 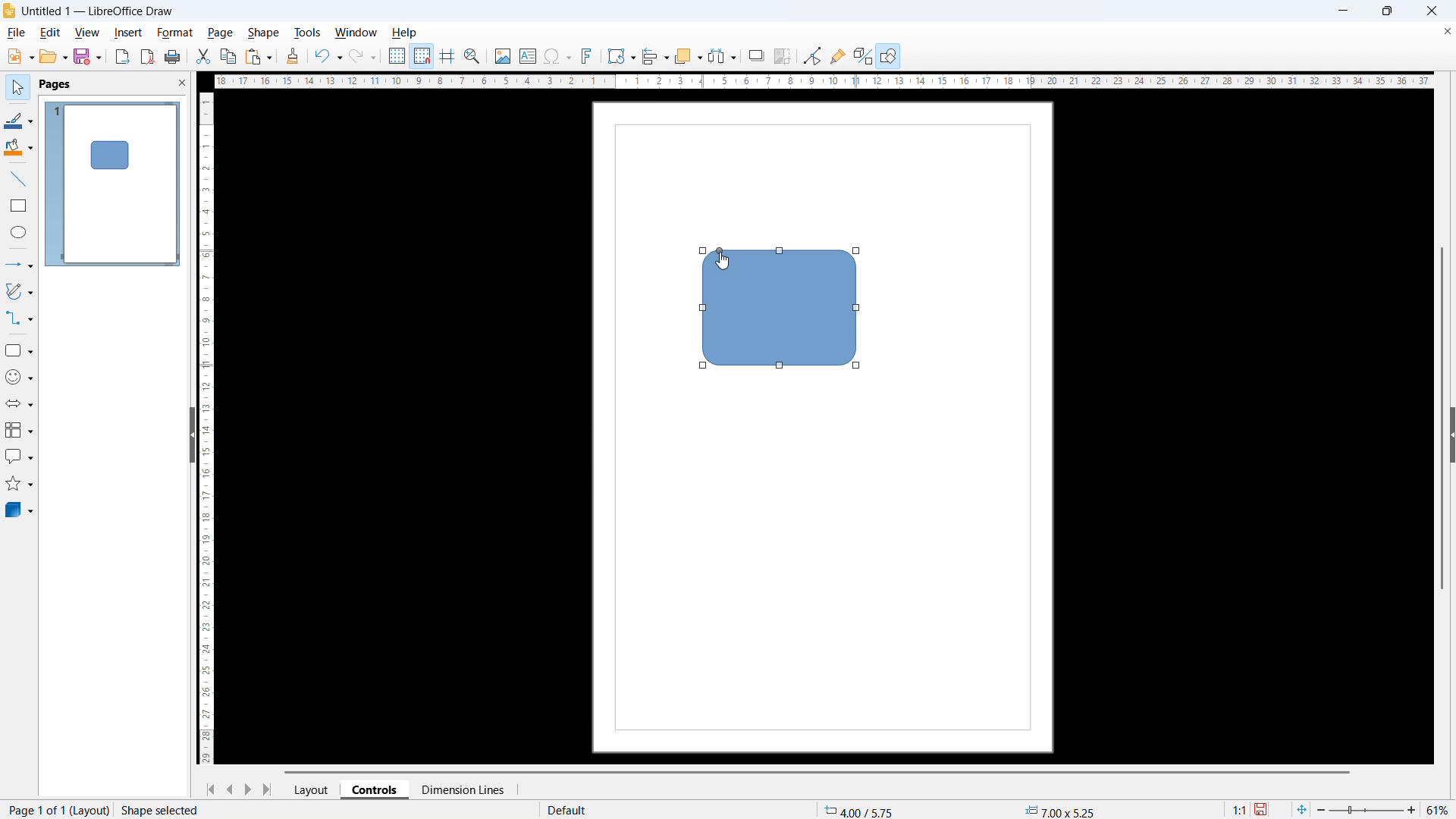 What do you see at coordinates (757, 55) in the screenshot?
I see `` at bounding box center [757, 55].